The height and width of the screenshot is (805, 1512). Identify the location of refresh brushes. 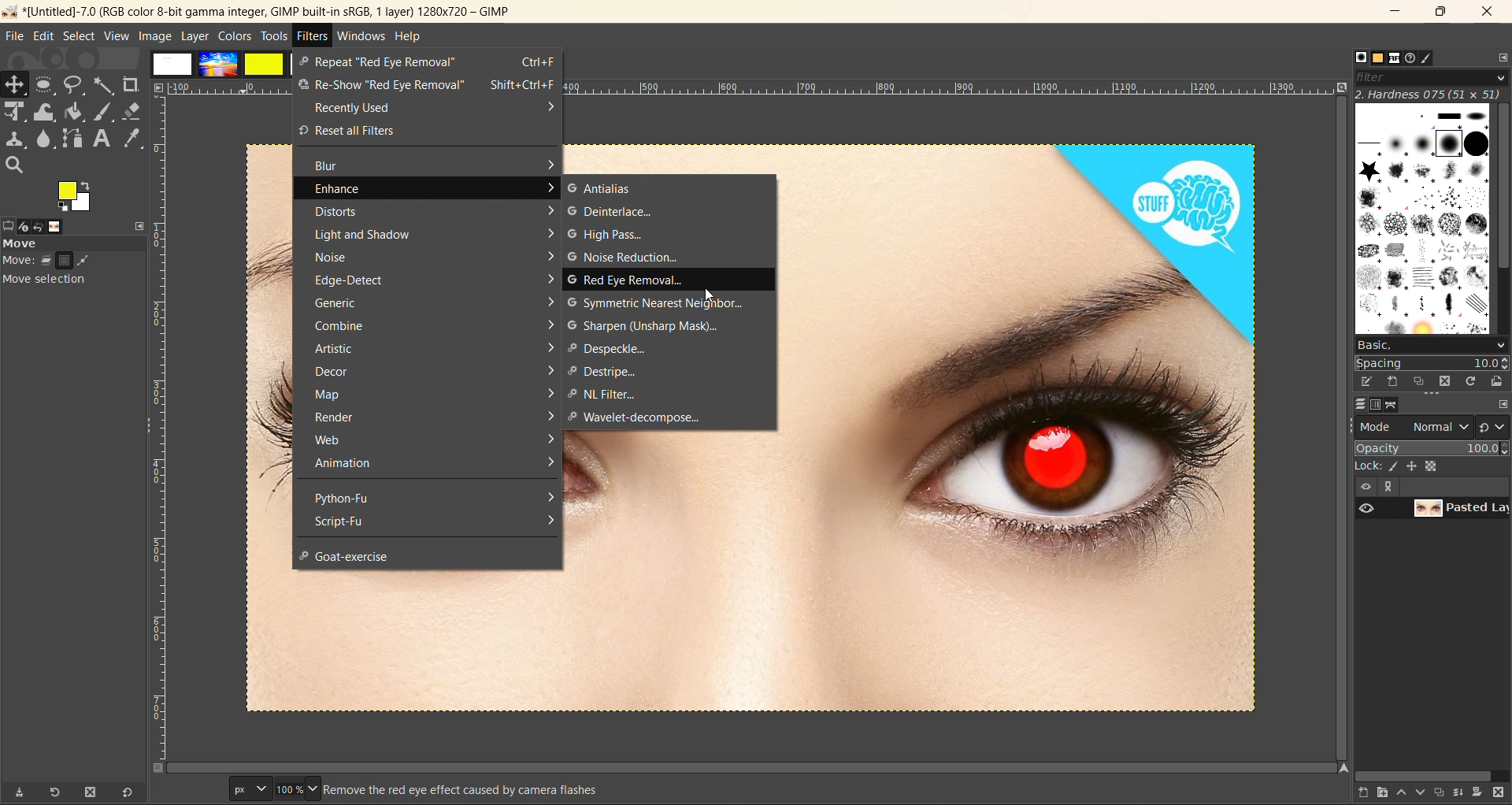
(1470, 383).